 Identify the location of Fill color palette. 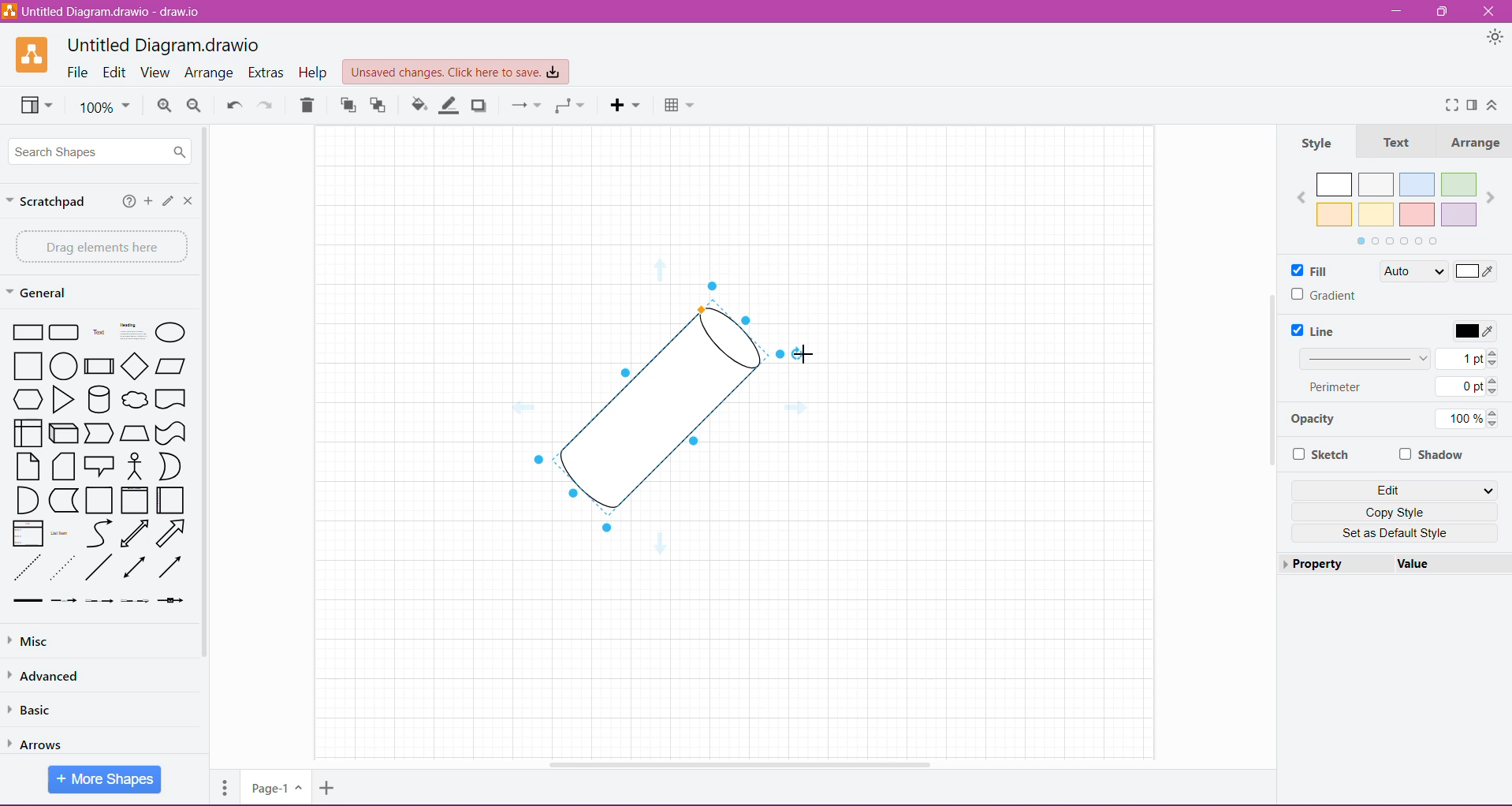
(1395, 206).